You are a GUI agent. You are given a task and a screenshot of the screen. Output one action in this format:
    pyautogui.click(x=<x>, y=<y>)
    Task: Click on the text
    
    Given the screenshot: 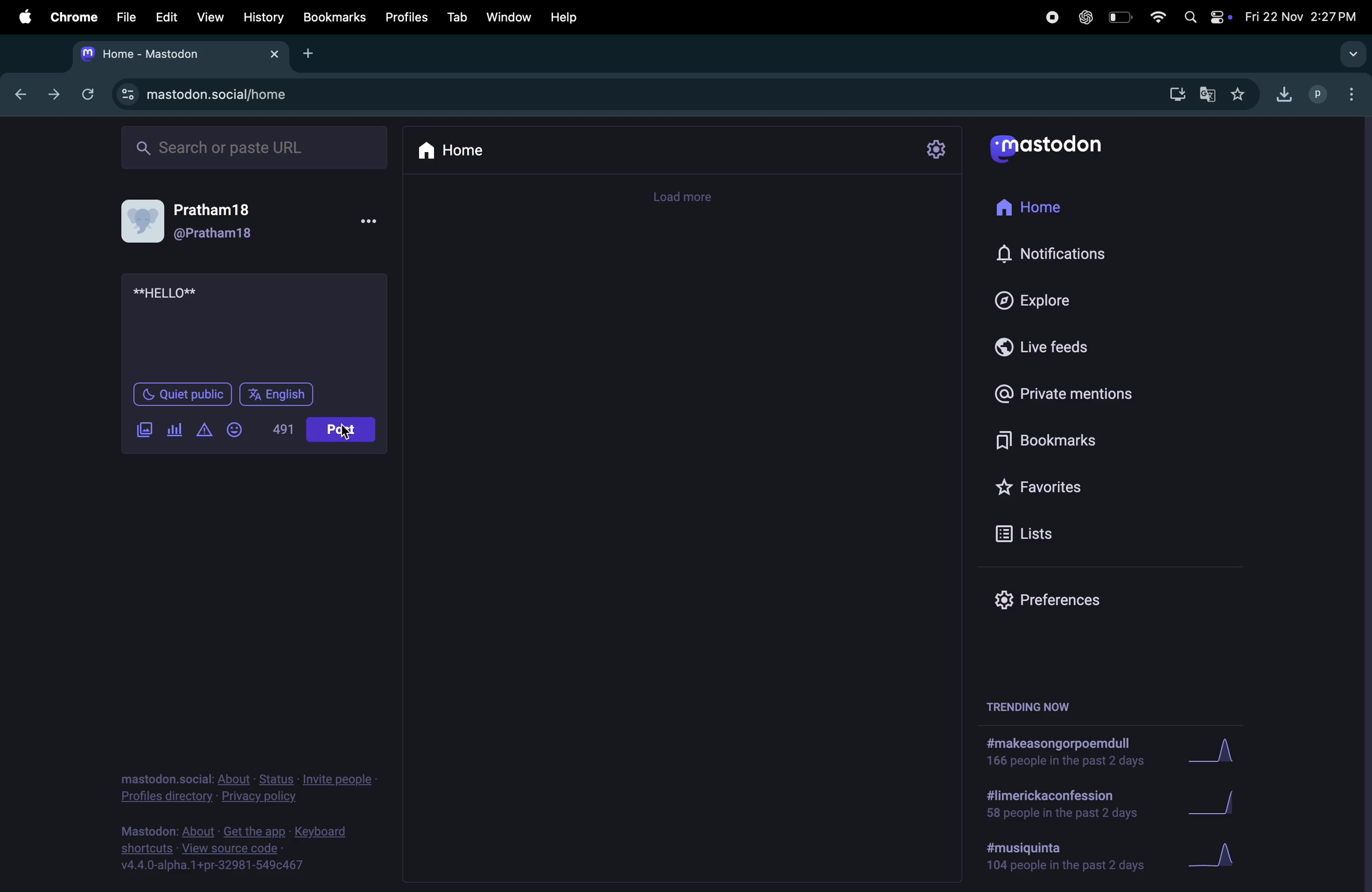 What is the action you would take?
    pyautogui.click(x=172, y=294)
    